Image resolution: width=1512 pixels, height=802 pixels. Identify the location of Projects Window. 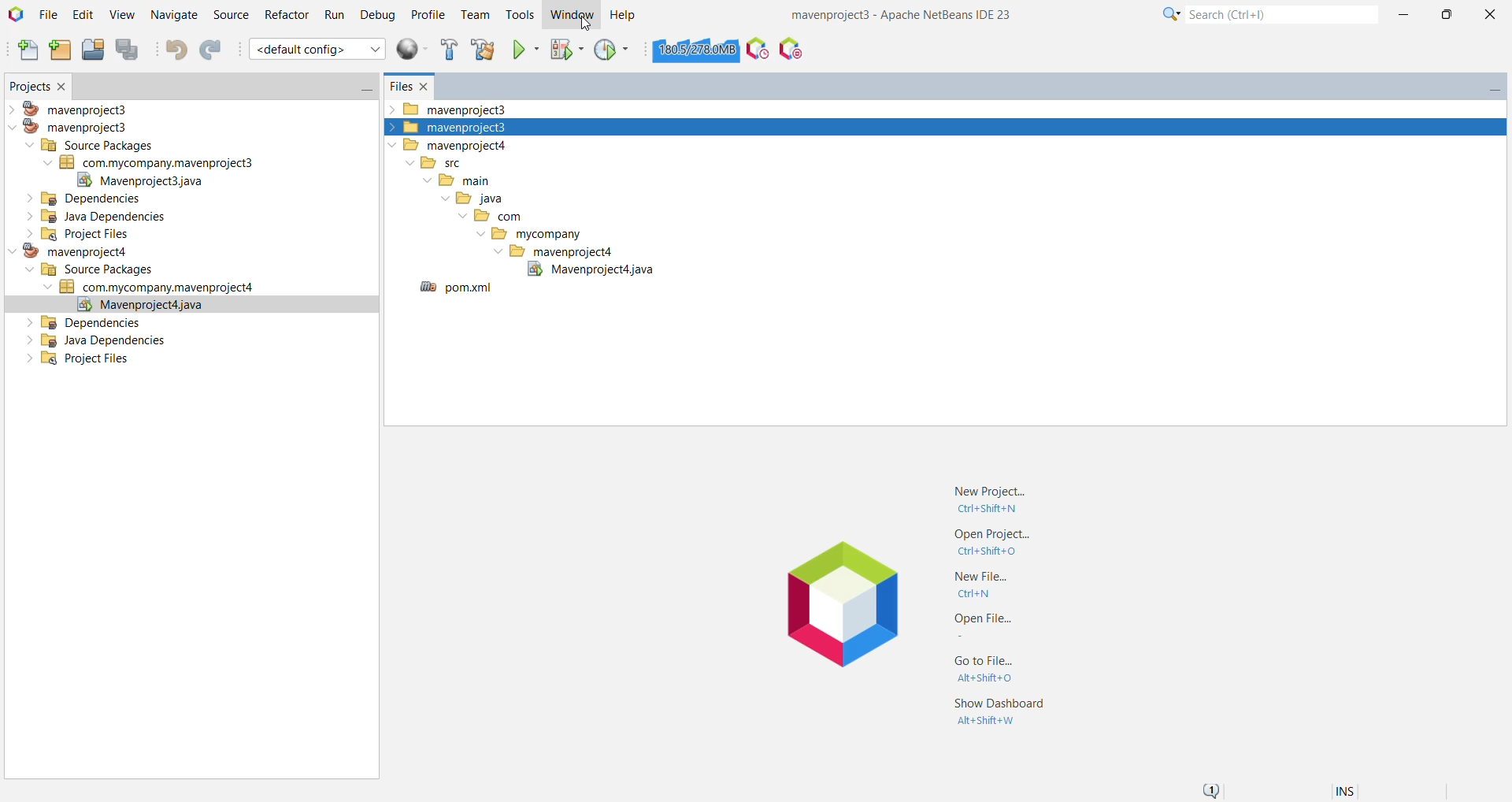
(25, 84).